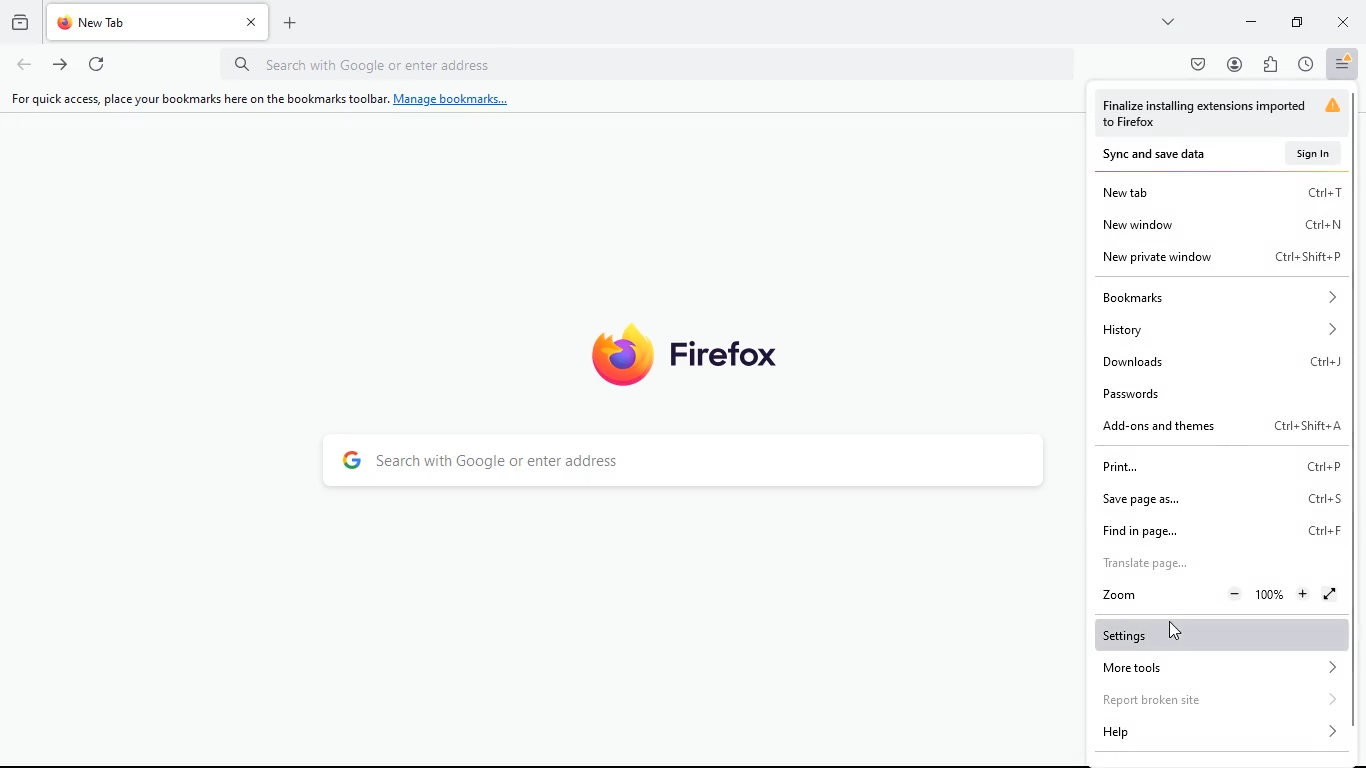 The image size is (1366, 768). Describe the element at coordinates (20, 23) in the screenshot. I see `history` at that location.